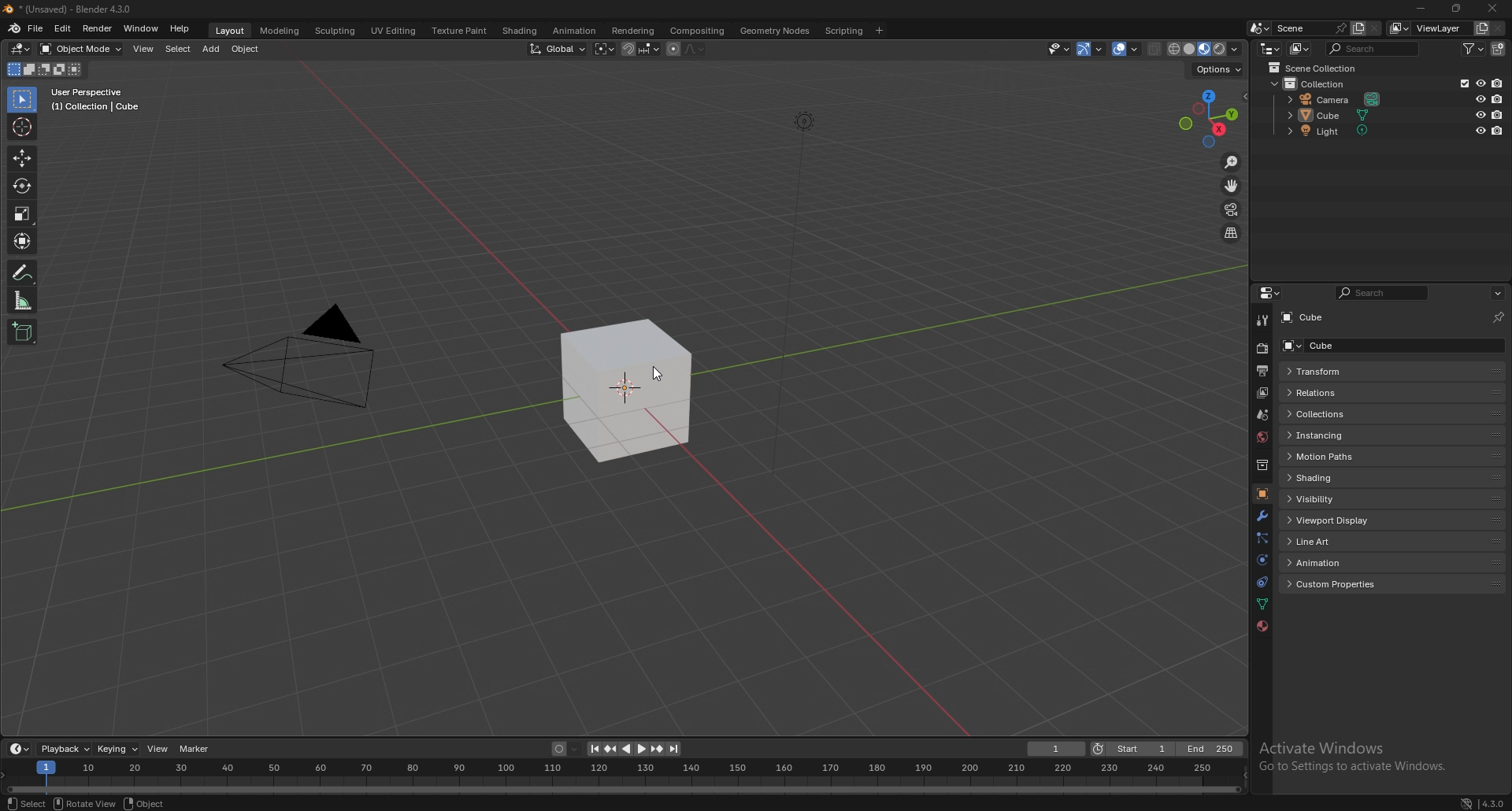 This screenshot has width=1512, height=811. I want to click on disable in renders, so click(1498, 83).